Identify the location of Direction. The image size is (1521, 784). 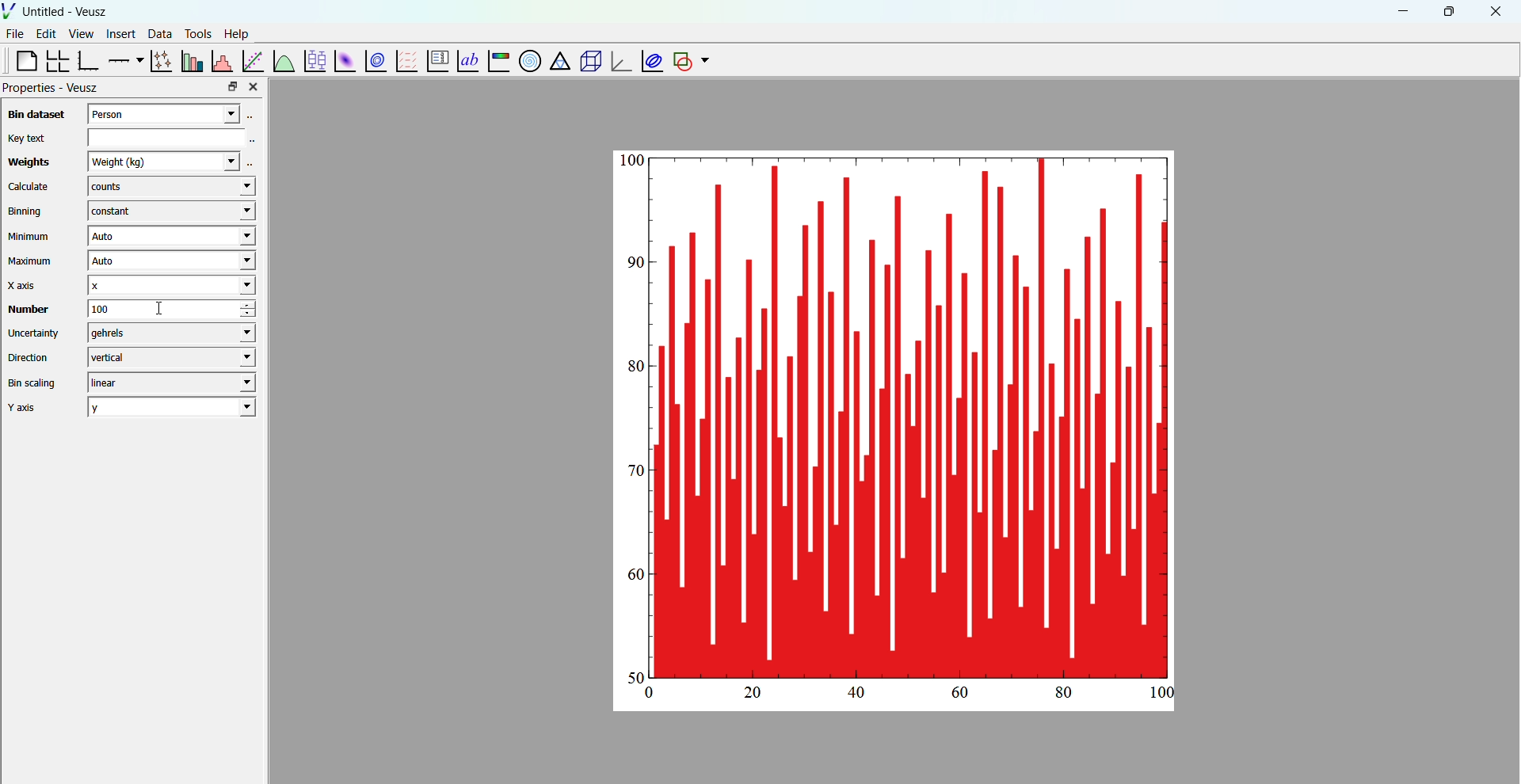
(31, 356).